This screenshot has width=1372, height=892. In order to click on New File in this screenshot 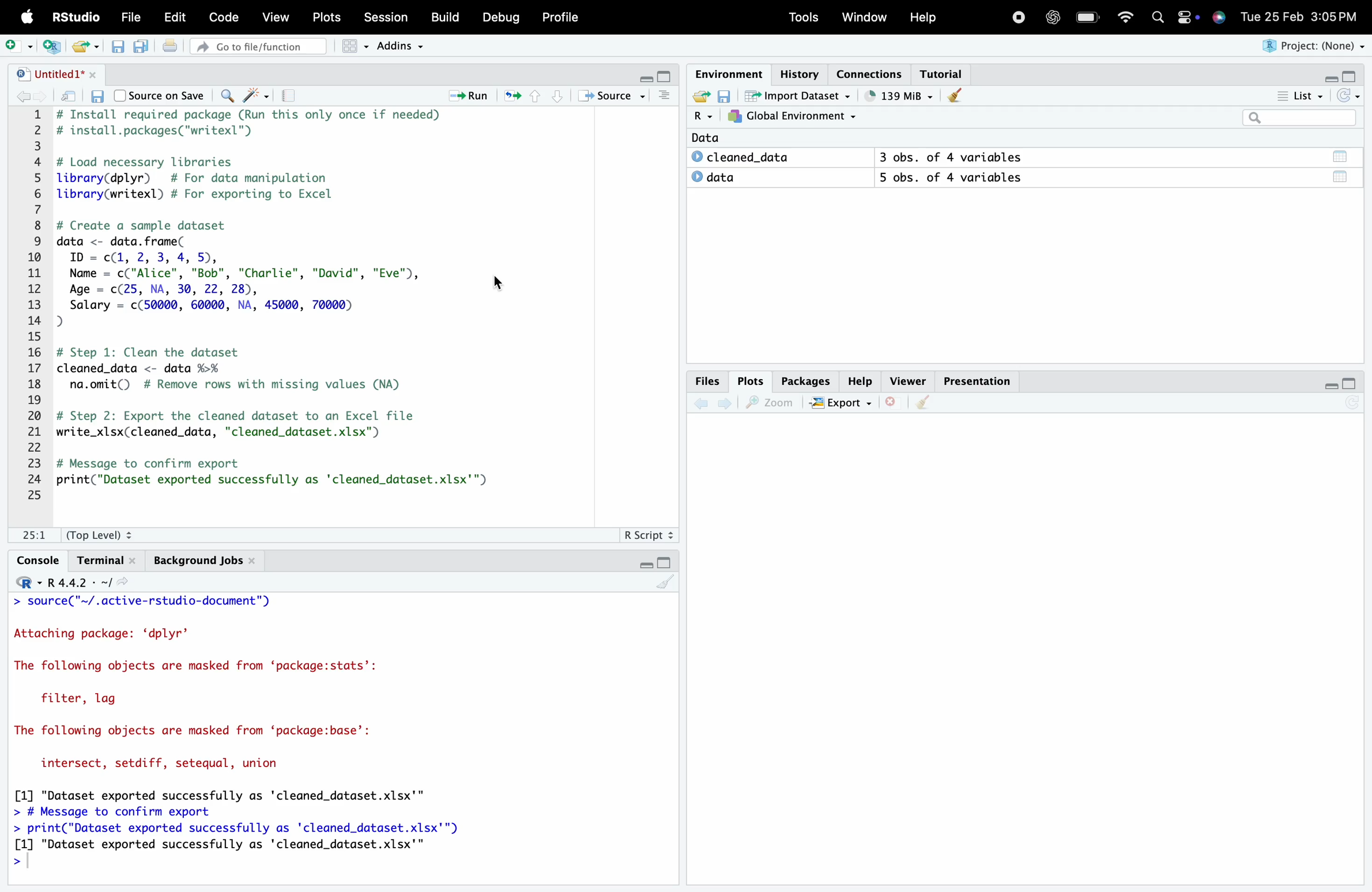, I will do `click(18, 46)`.